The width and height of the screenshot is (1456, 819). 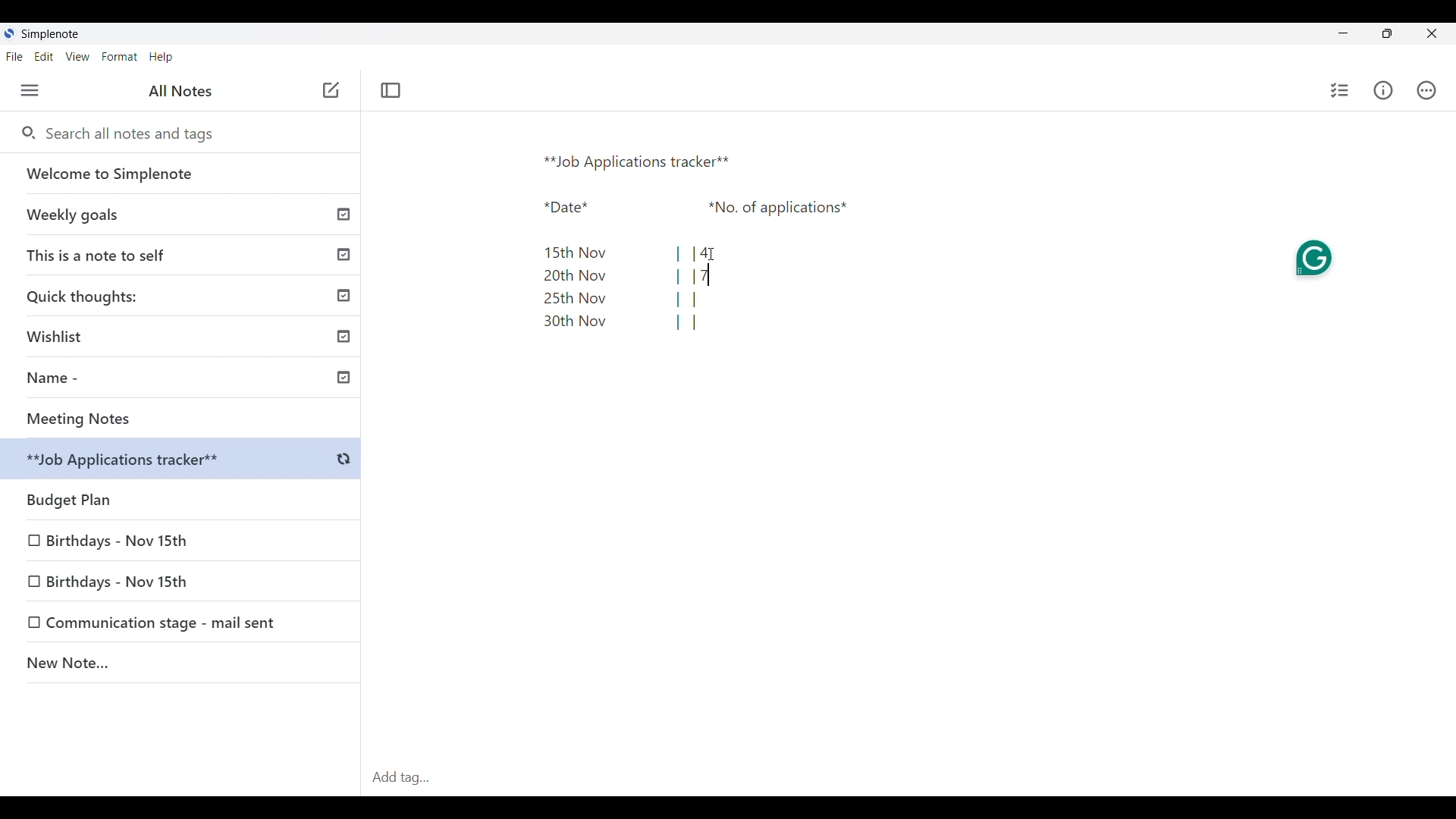 What do you see at coordinates (44, 56) in the screenshot?
I see `Edit` at bounding box center [44, 56].